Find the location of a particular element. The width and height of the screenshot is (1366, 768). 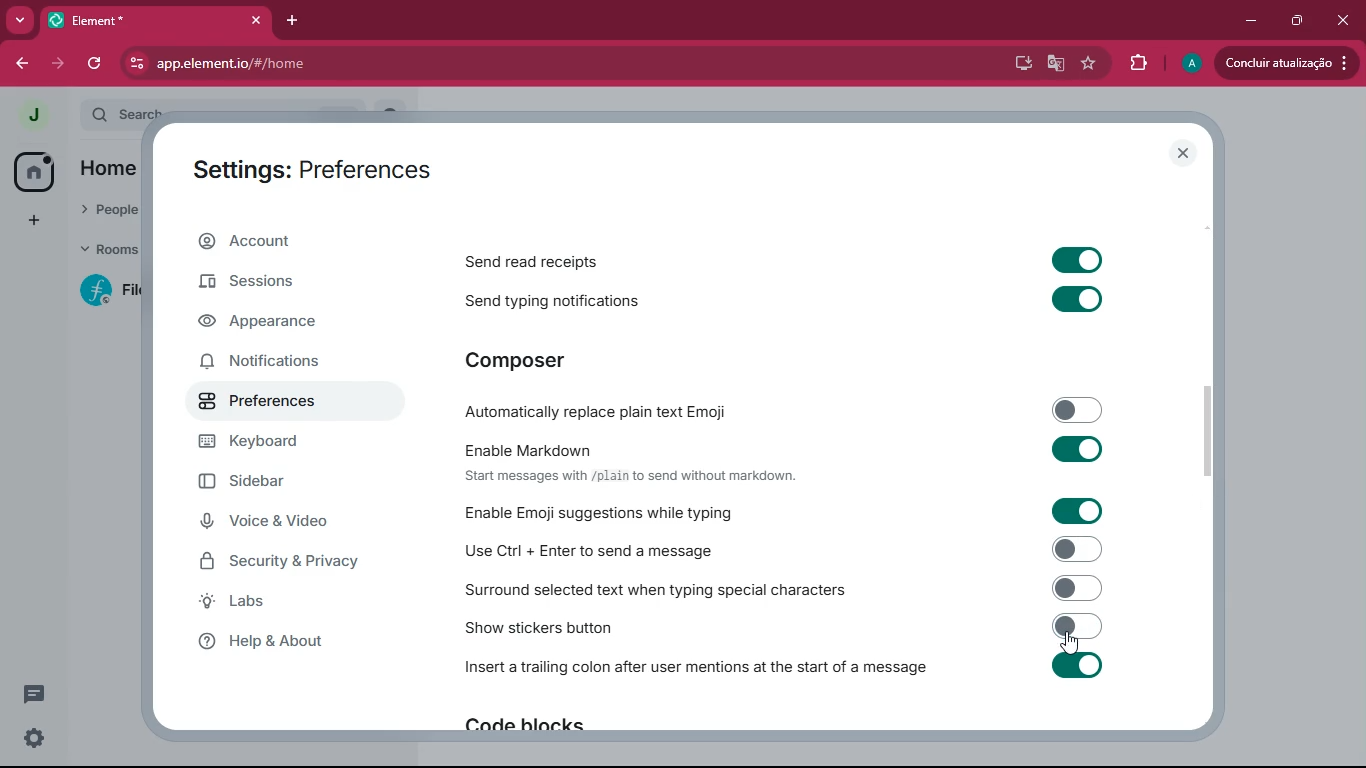

forward is located at coordinates (60, 66).